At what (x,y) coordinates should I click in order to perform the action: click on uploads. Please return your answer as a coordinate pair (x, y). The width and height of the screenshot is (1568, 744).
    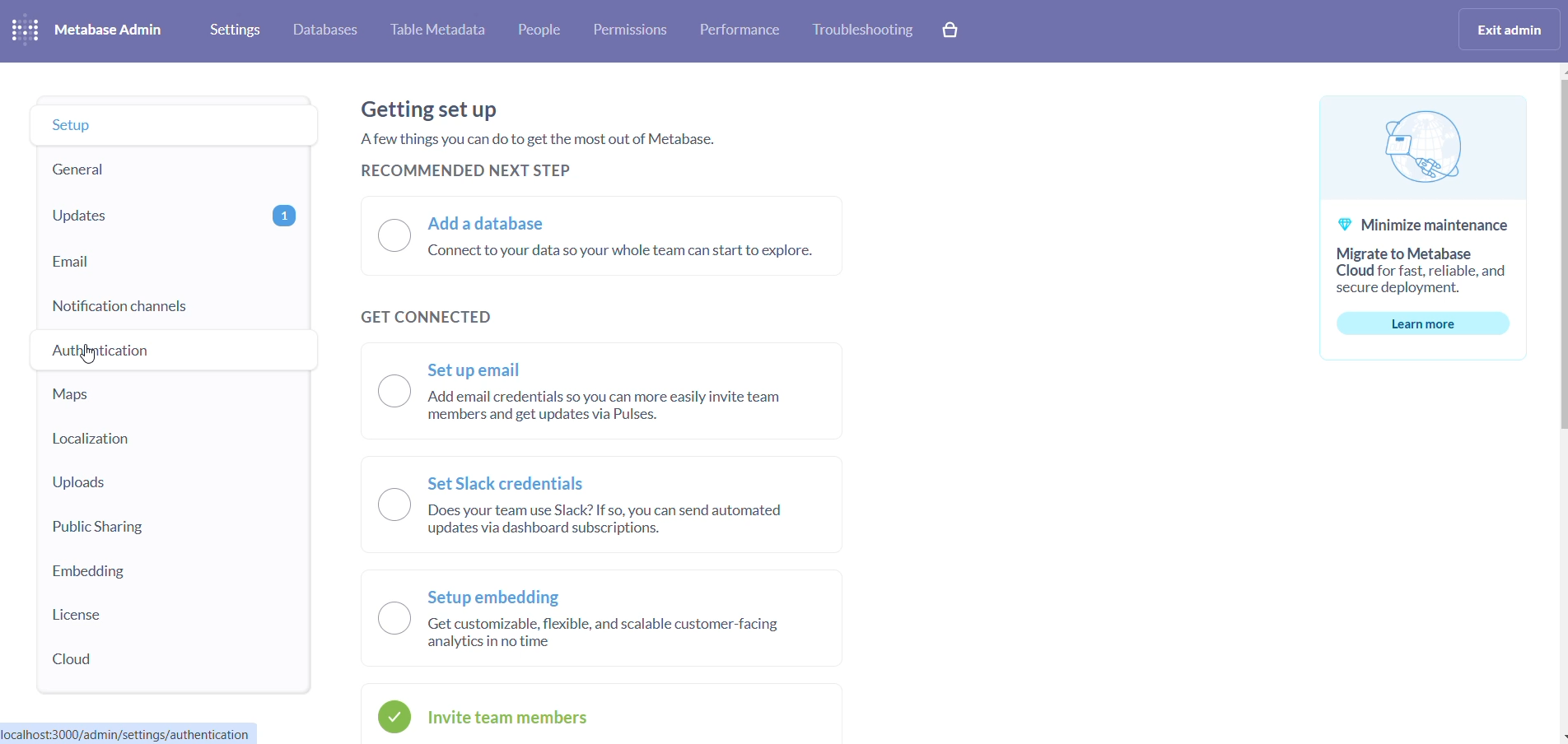
    Looking at the image, I should click on (137, 486).